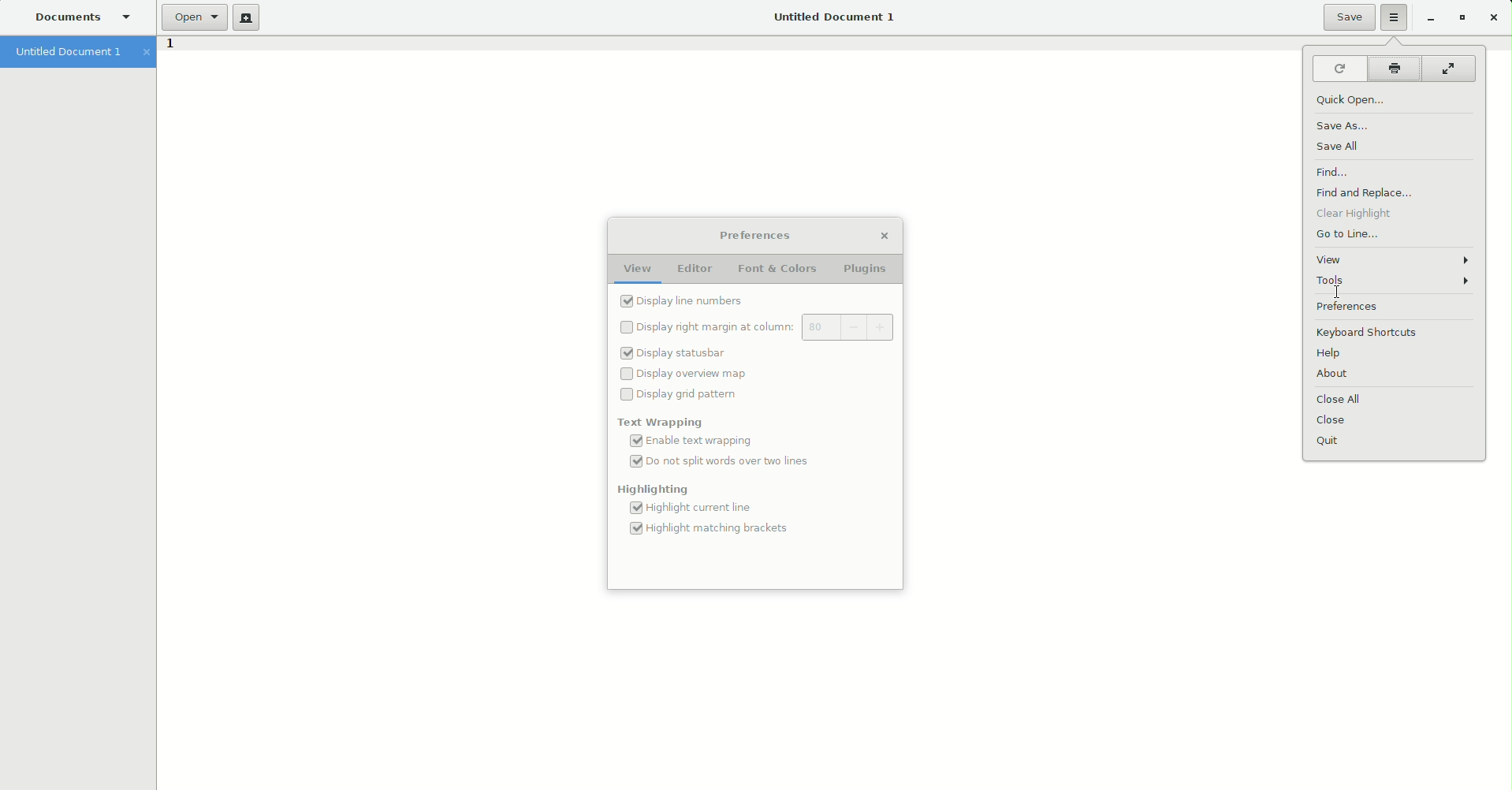 The height and width of the screenshot is (790, 1512). What do you see at coordinates (1341, 147) in the screenshot?
I see `Save all` at bounding box center [1341, 147].